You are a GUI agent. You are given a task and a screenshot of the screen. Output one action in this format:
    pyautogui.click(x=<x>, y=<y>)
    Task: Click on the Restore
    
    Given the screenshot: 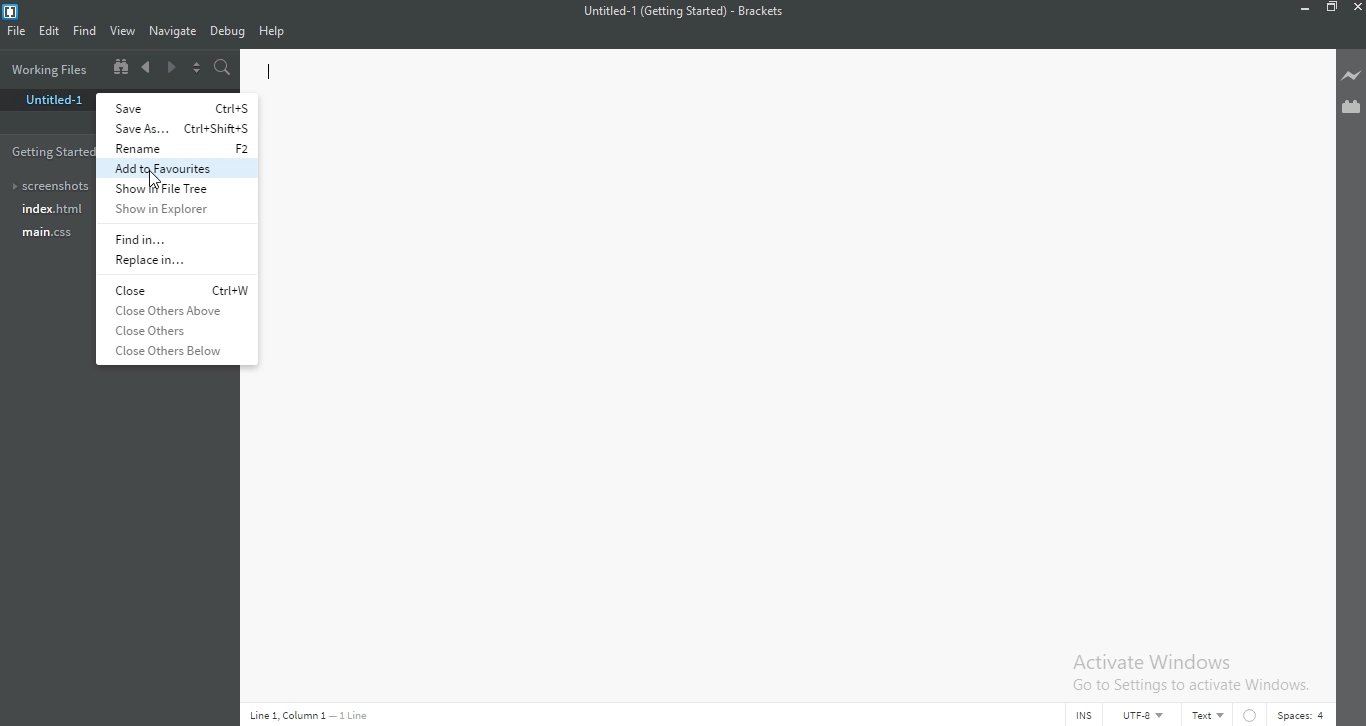 What is the action you would take?
    pyautogui.click(x=1331, y=10)
    